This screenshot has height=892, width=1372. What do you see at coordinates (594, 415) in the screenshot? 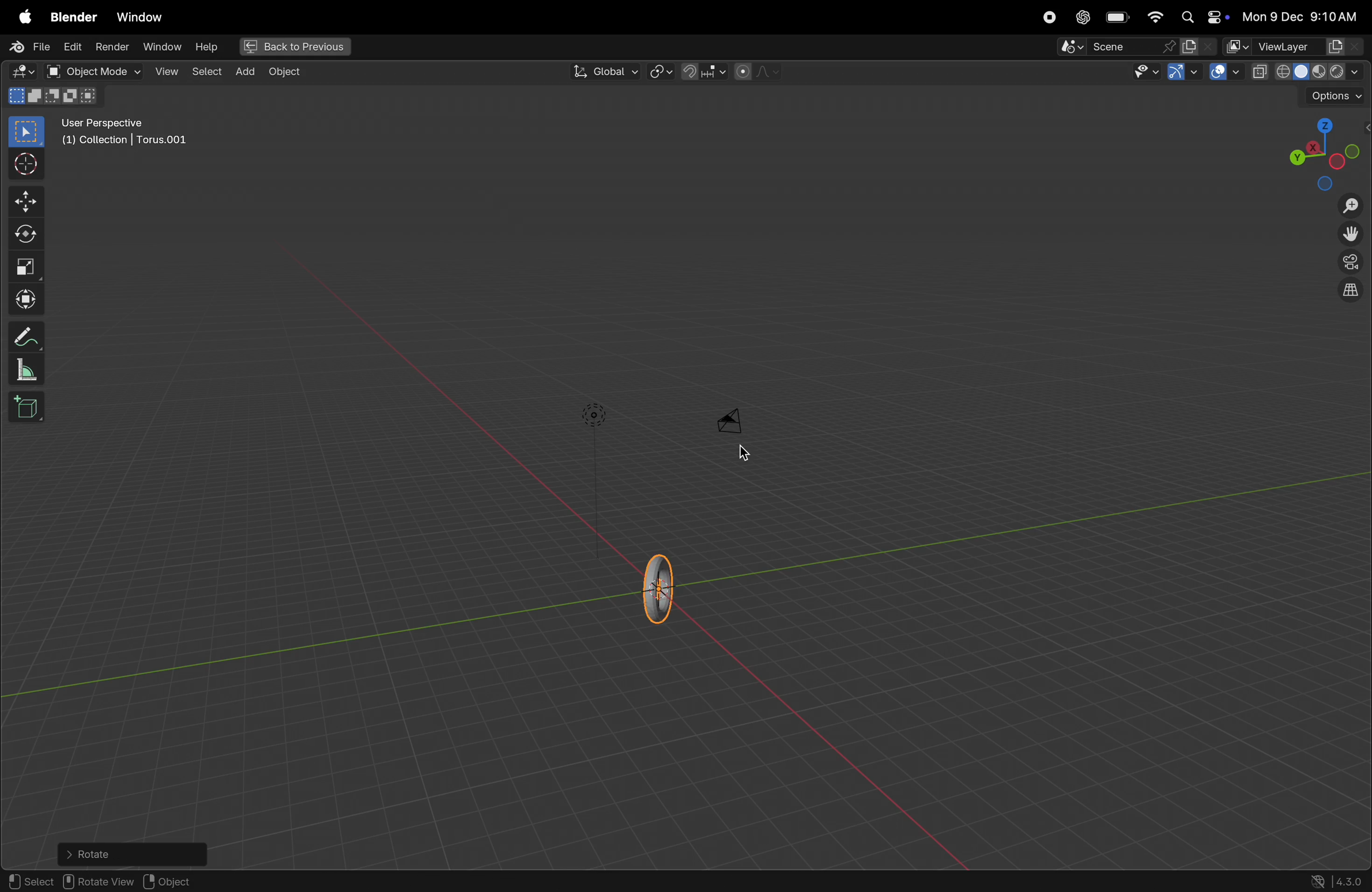
I see `lights` at bounding box center [594, 415].